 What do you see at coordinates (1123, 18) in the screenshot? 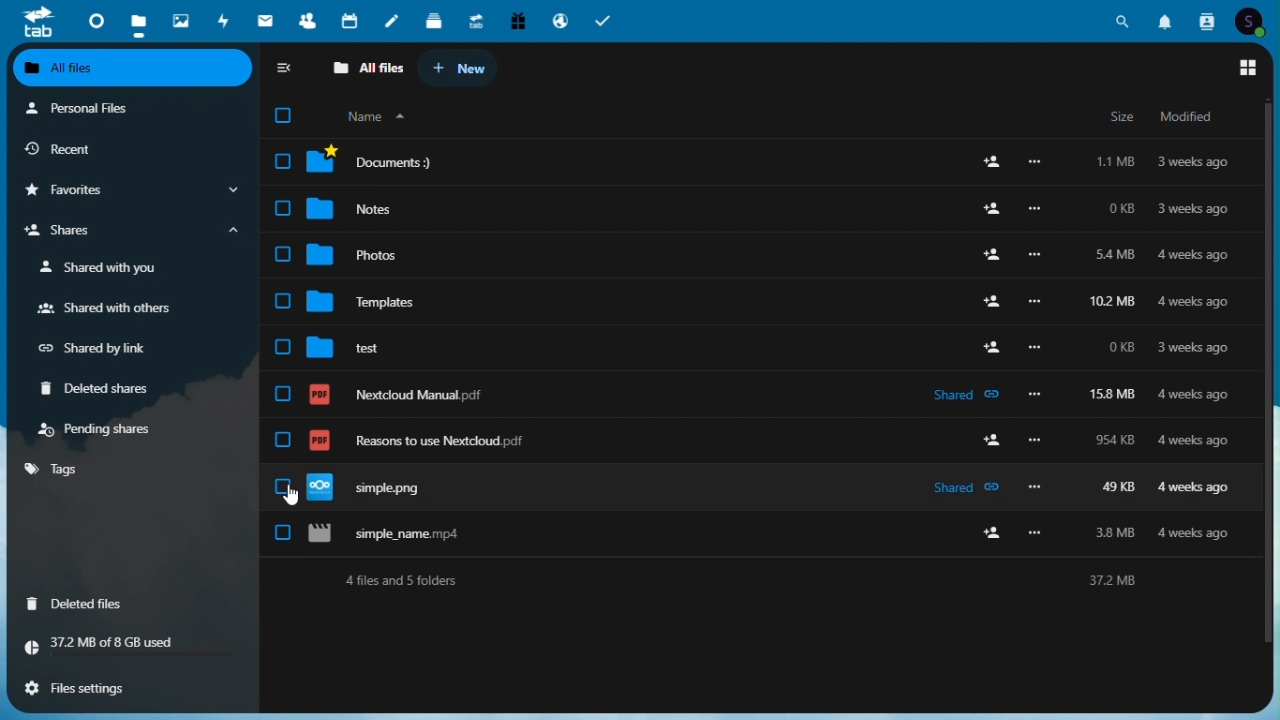
I see `Search ` at bounding box center [1123, 18].